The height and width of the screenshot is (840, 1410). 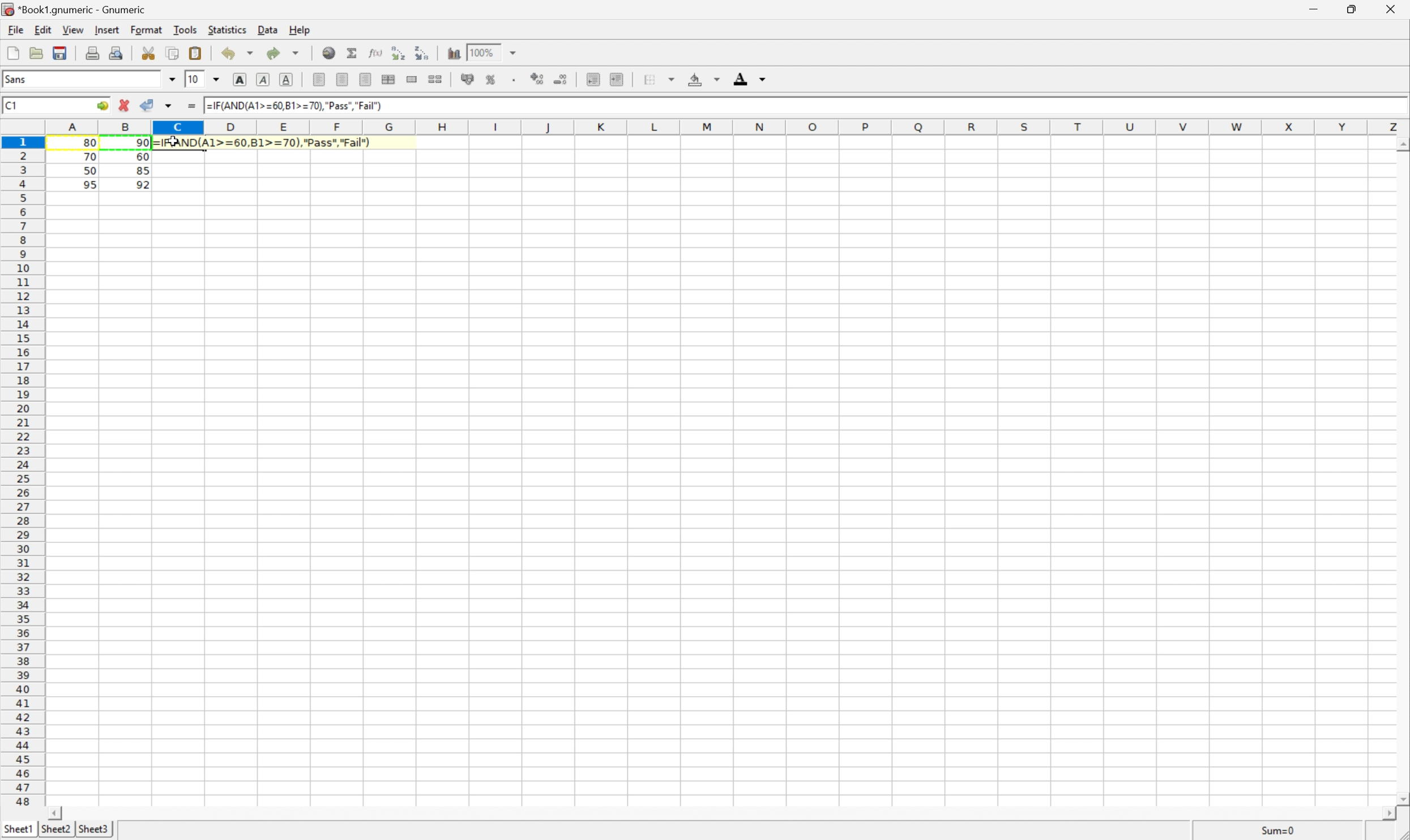 I want to click on 100%, so click(x=490, y=52).